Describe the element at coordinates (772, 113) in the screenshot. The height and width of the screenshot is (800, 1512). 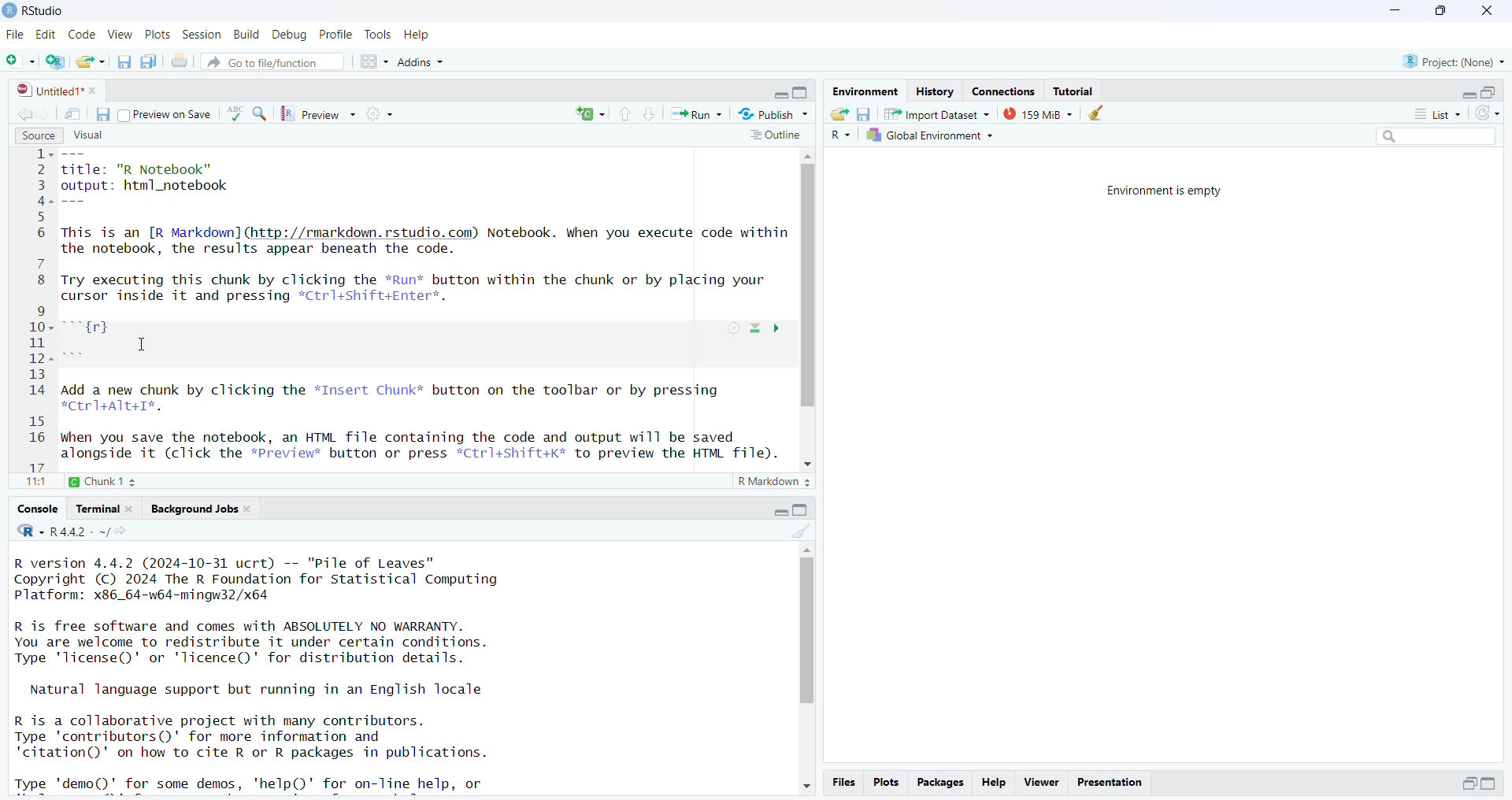
I see `publish` at that location.